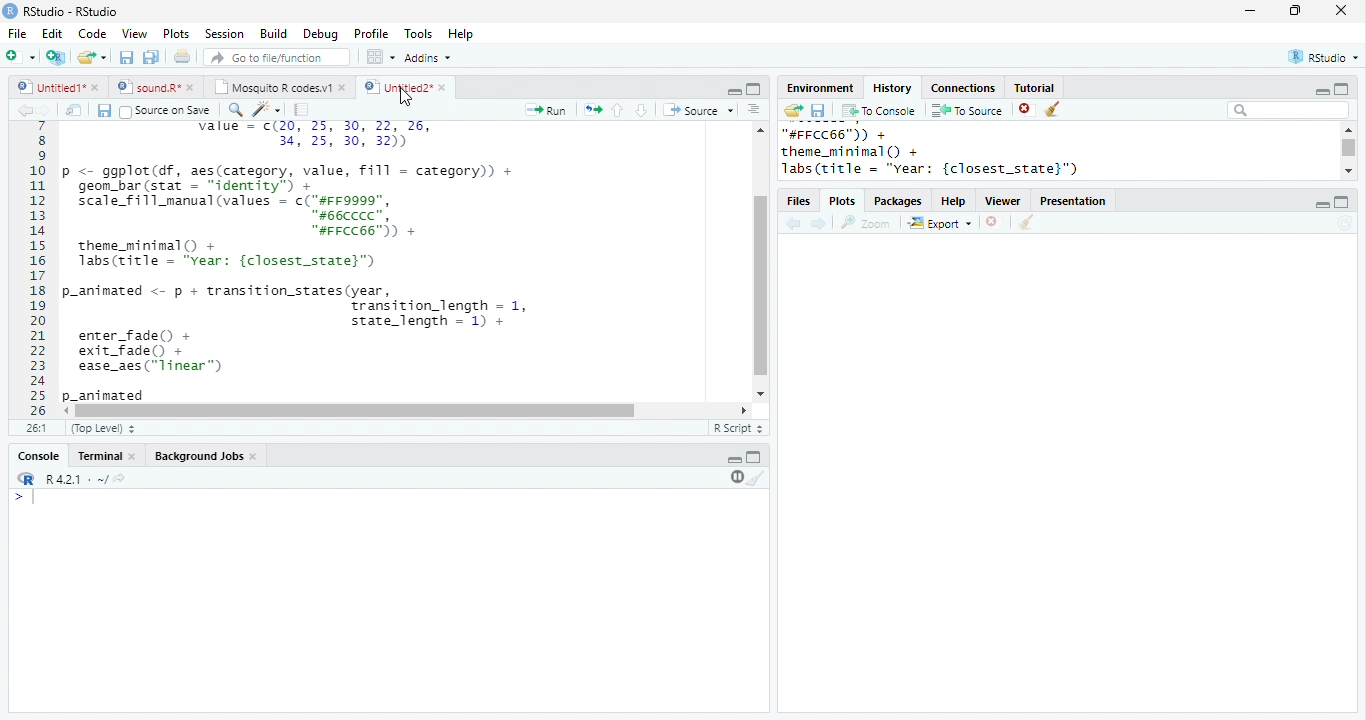  Describe the element at coordinates (1295, 11) in the screenshot. I see `resize` at that location.